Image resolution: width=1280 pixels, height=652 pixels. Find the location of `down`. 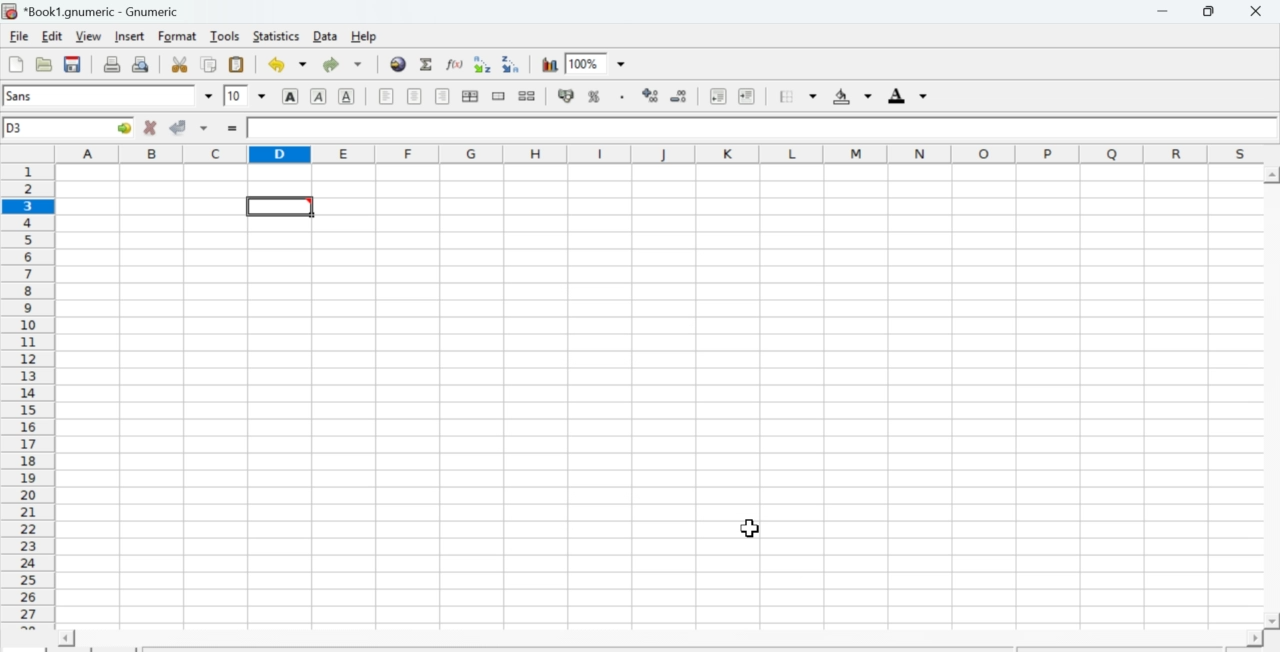

down is located at coordinates (207, 96).